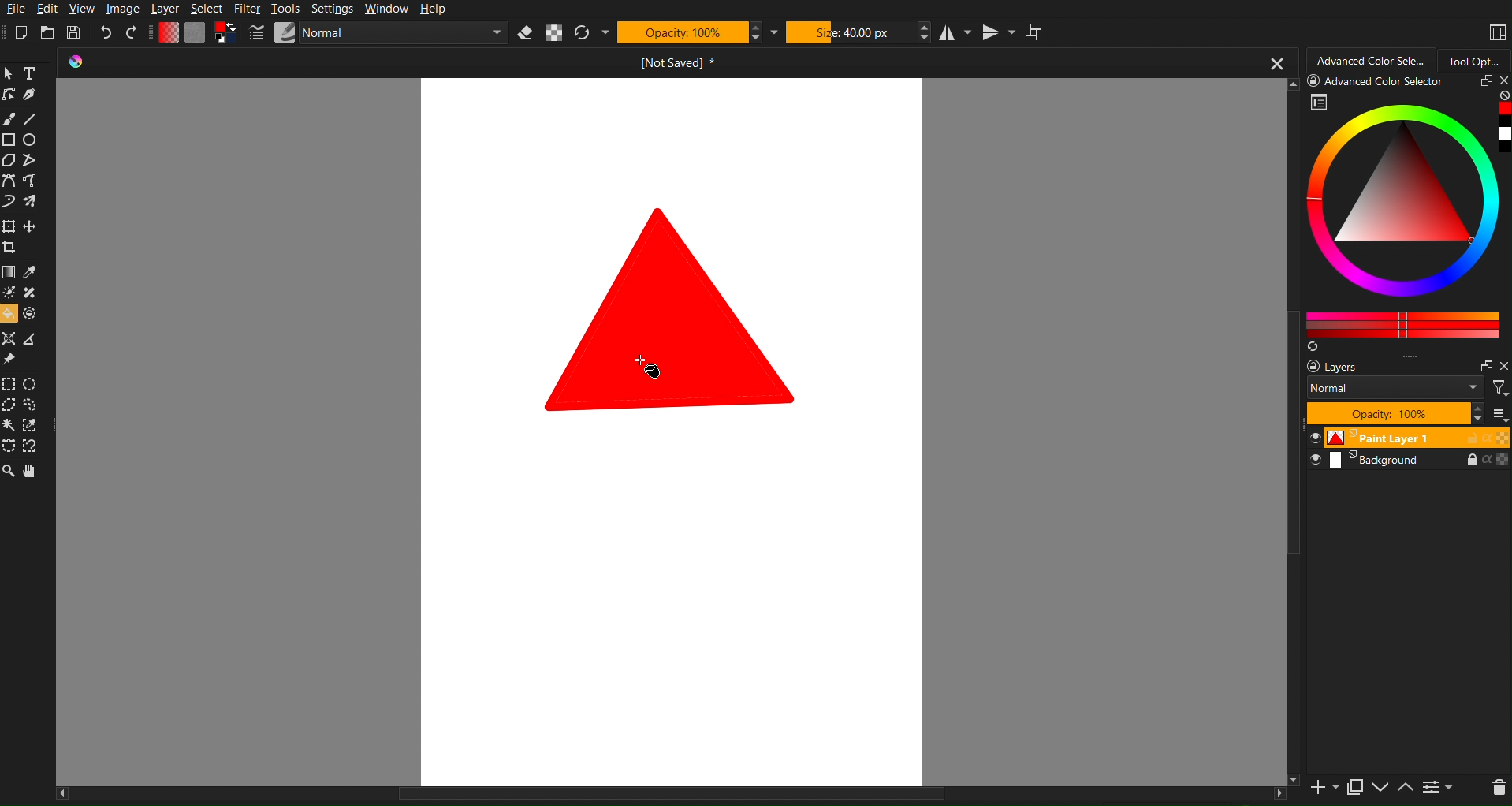 This screenshot has height=806, width=1512. I want to click on triangle, so click(664, 309).